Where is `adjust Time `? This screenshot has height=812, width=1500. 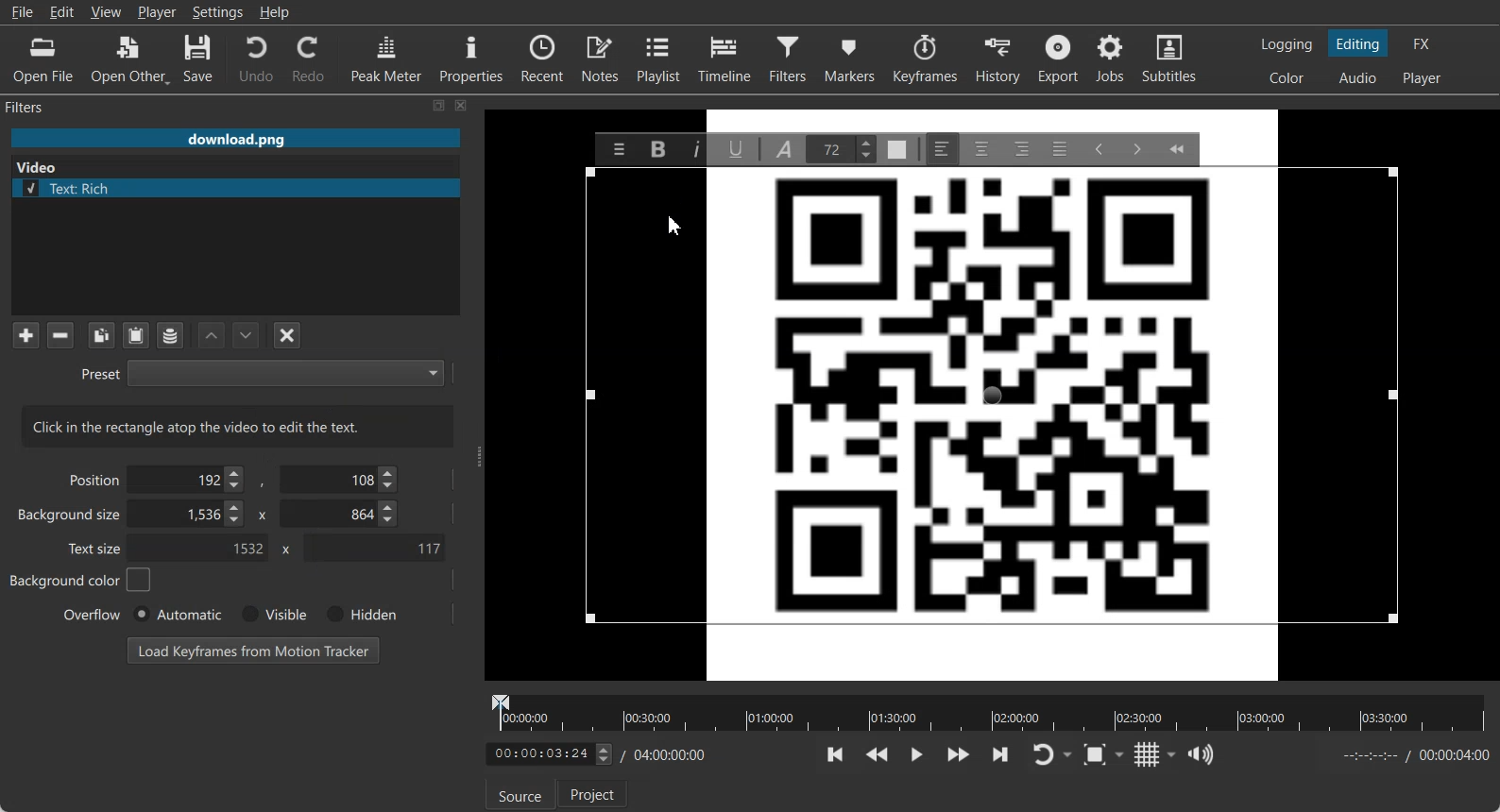
adjust Time  is located at coordinates (548, 755).